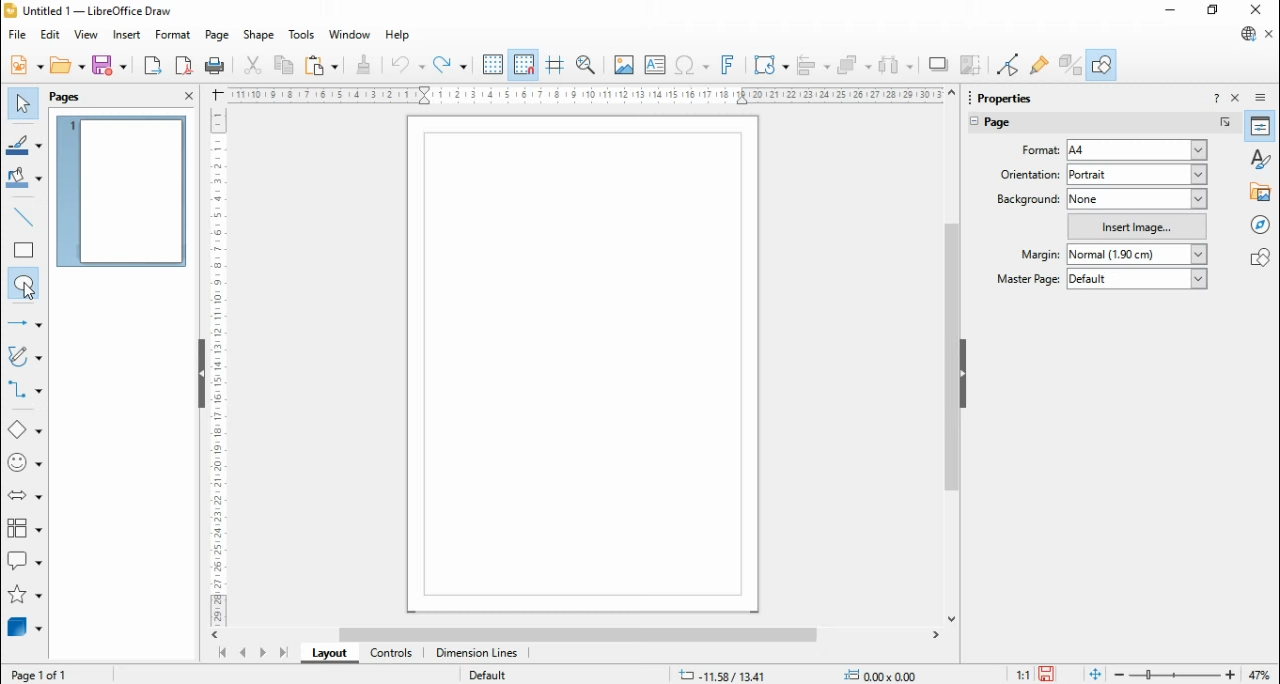 This screenshot has height=684, width=1280. What do you see at coordinates (1049, 674) in the screenshot?
I see `save` at bounding box center [1049, 674].